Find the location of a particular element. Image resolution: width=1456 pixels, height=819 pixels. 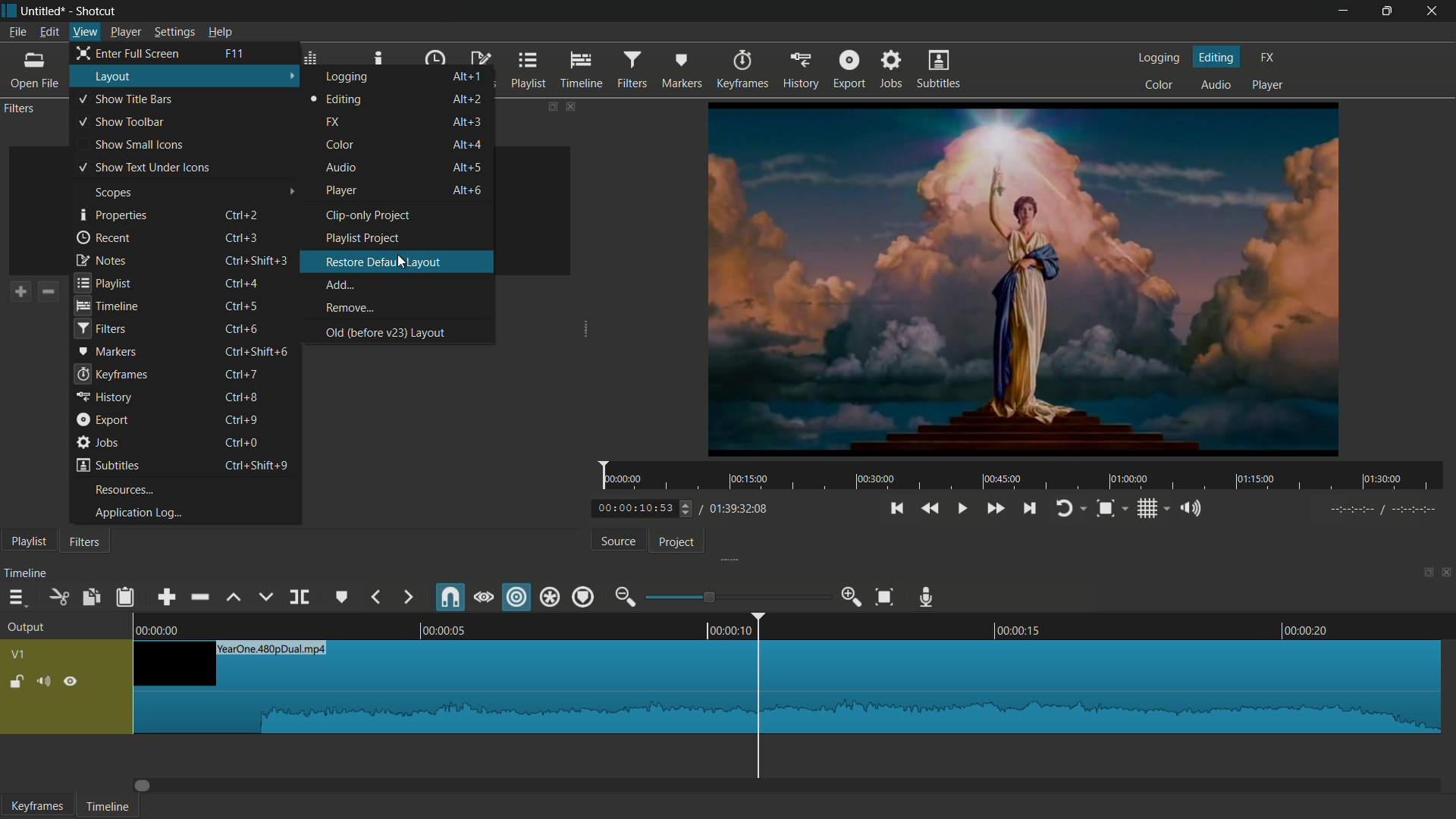

project is located at coordinates (677, 542).